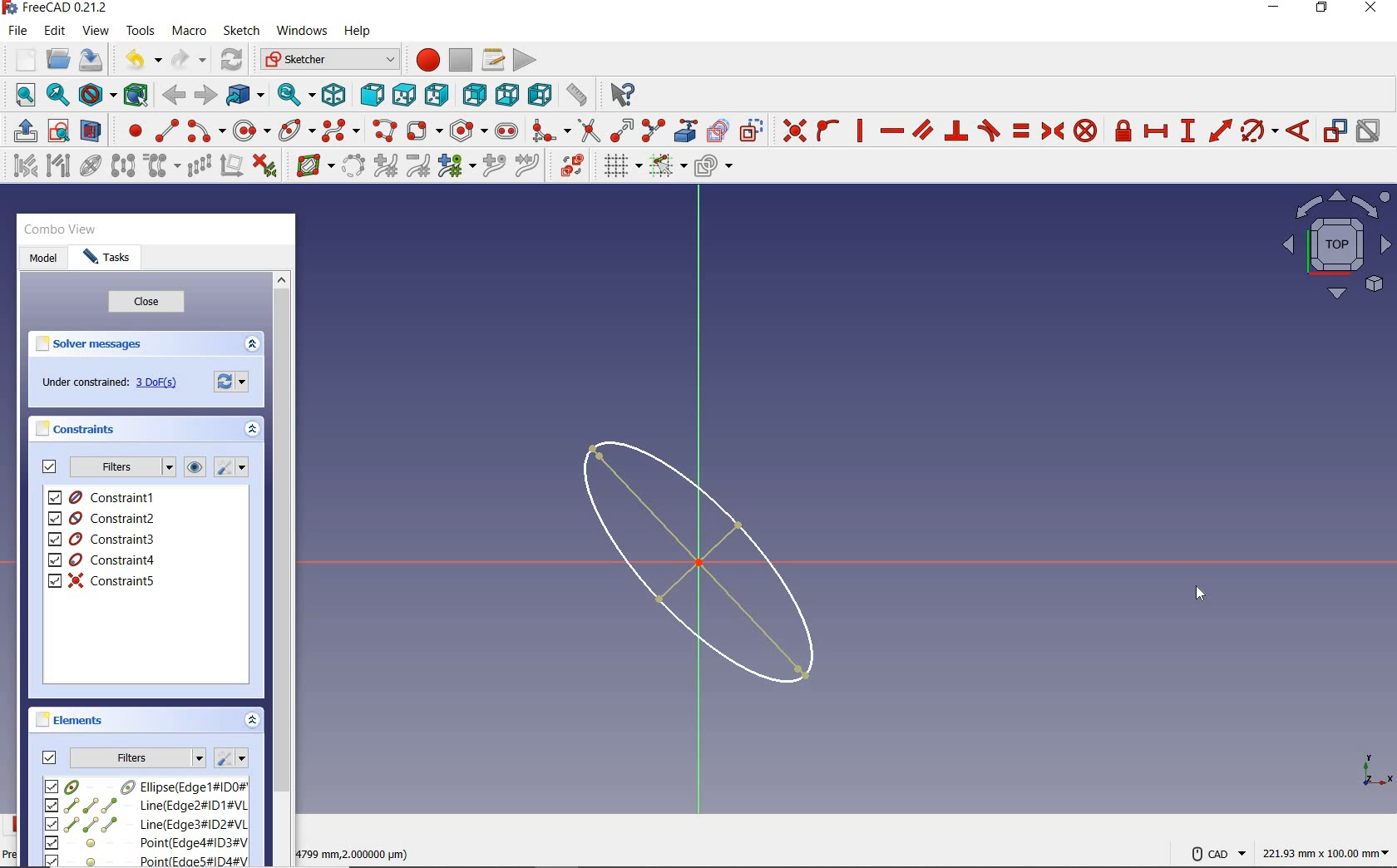  I want to click on execute macro, so click(526, 58).